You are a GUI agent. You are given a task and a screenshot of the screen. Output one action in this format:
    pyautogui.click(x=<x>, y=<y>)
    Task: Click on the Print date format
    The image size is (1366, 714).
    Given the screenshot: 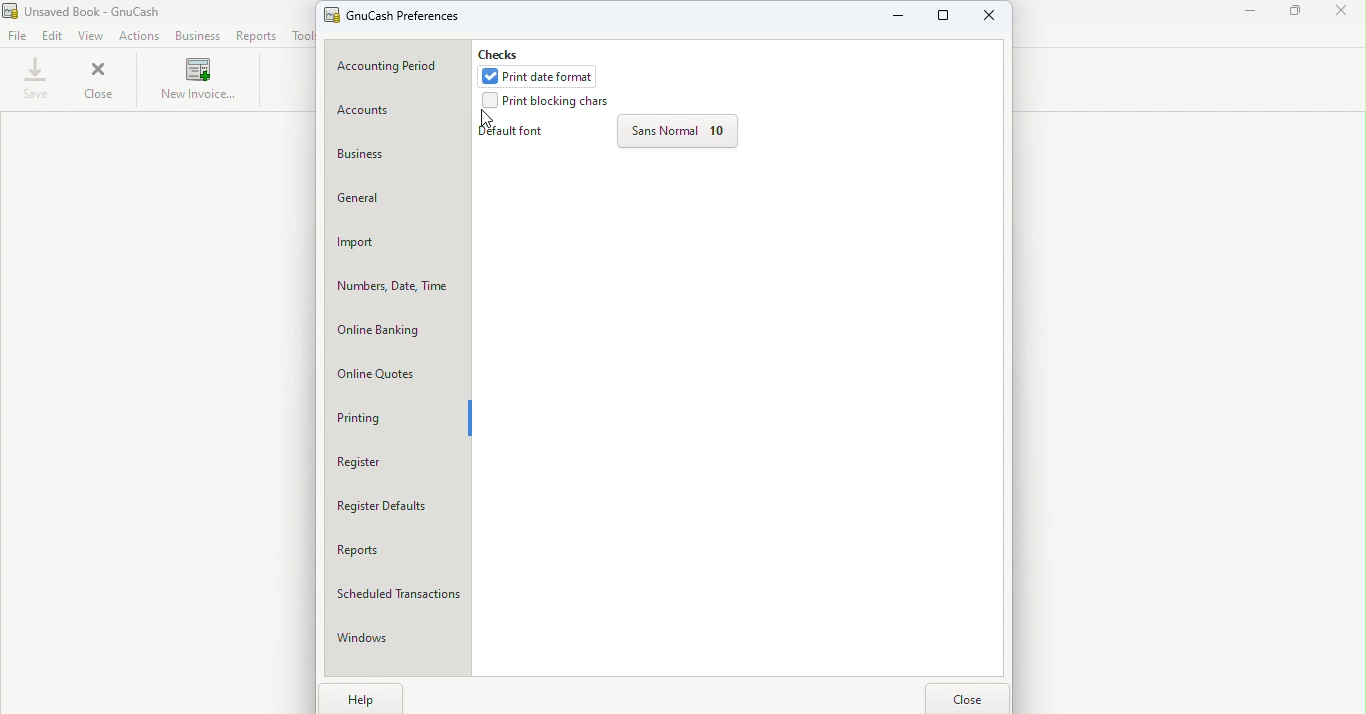 What is the action you would take?
    pyautogui.click(x=546, y=77)
    